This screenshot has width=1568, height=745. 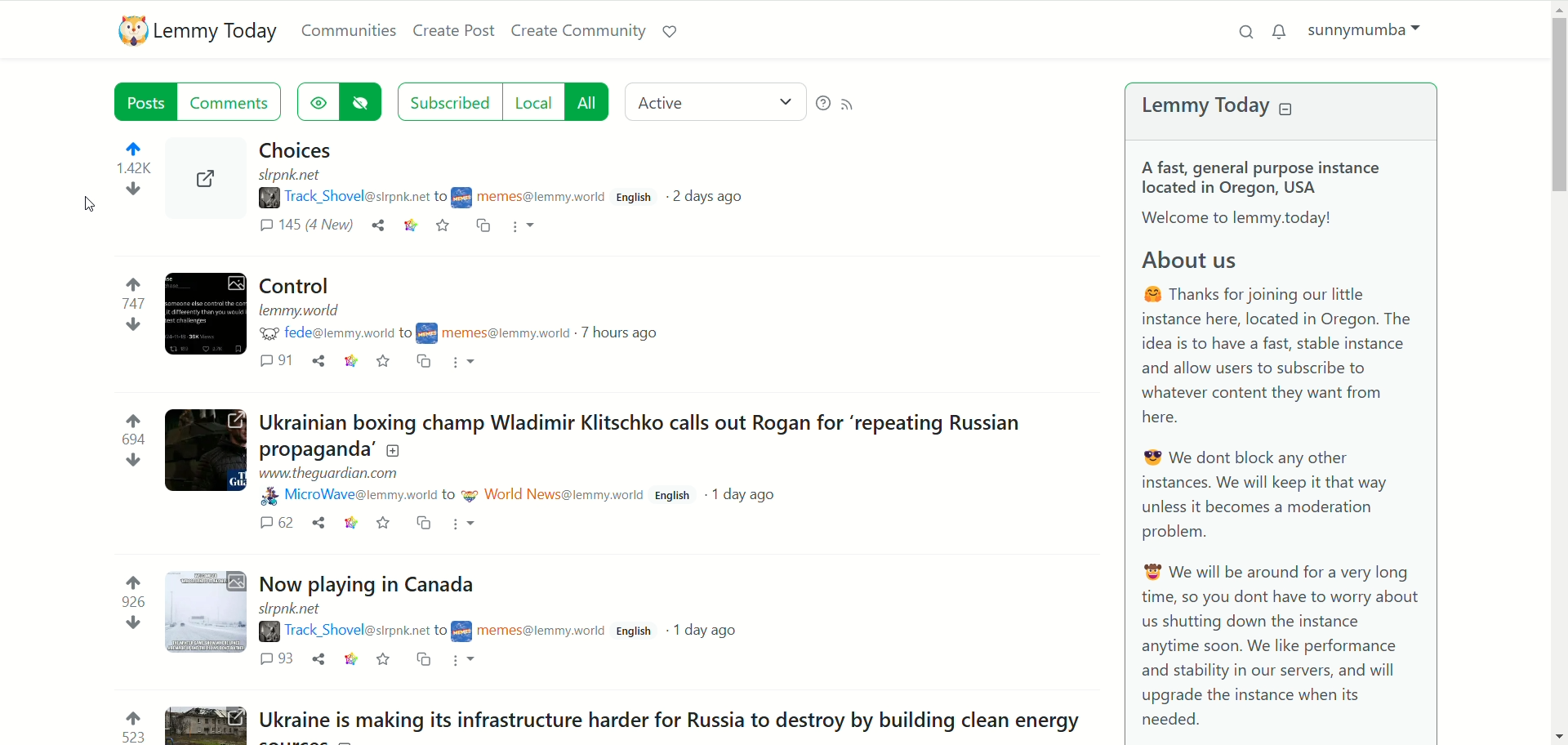 What do you see at coordinates (206, 449) in the screenshot?
I see `Thumbnail` at bounding box center [206, 449].